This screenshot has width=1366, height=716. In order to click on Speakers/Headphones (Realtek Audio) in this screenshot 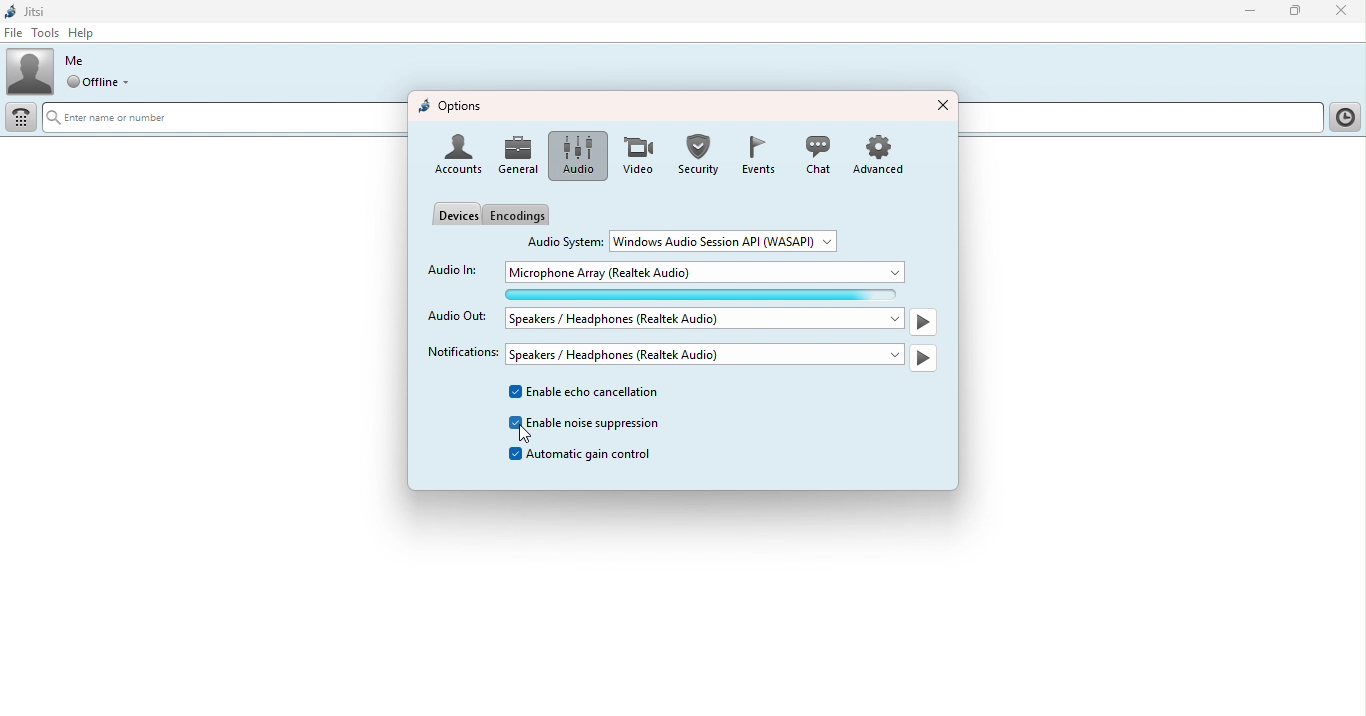, I will do `click(705, 354)`.